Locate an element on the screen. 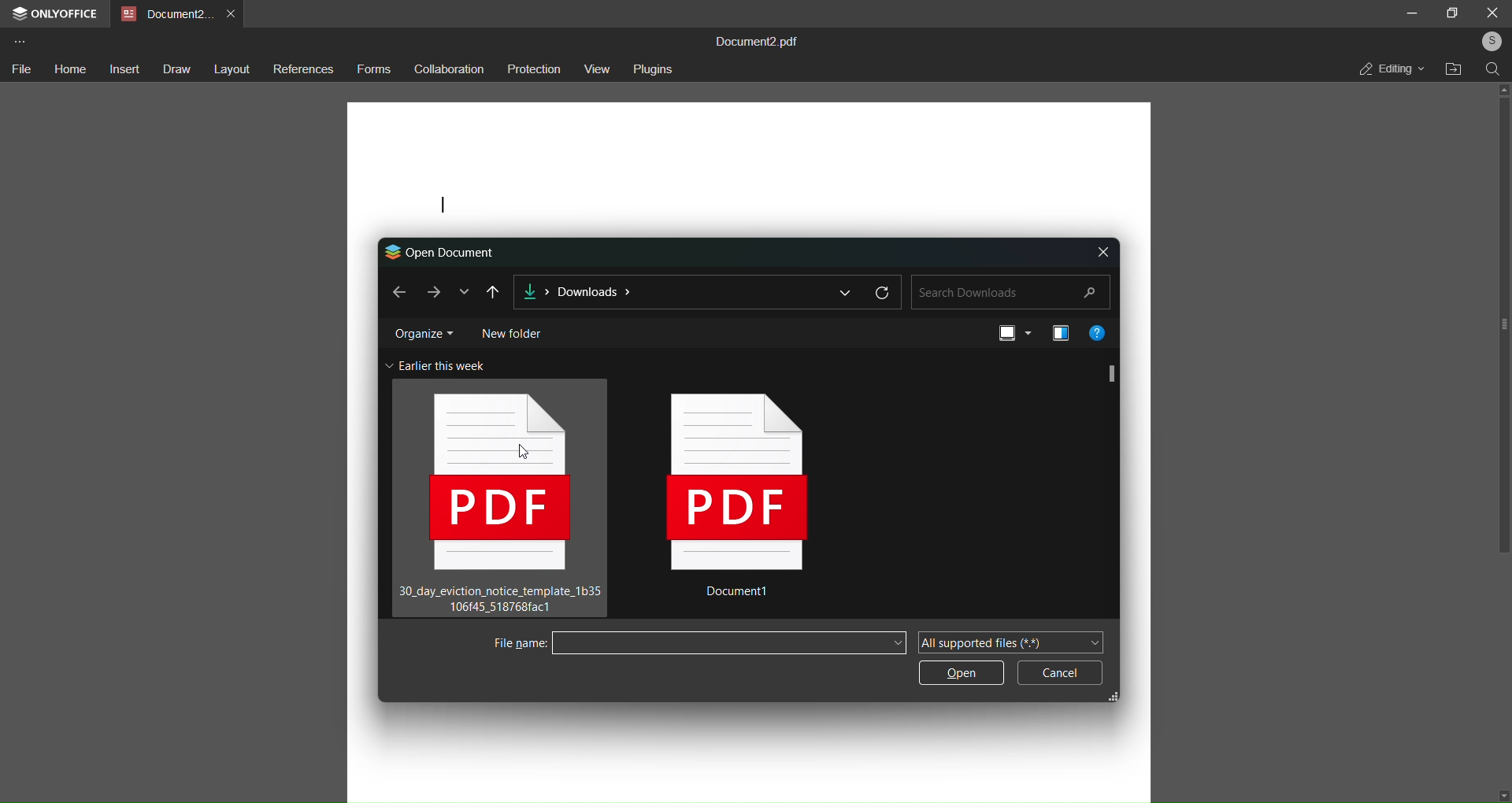 The height and width of the screenshot is (803, 1512). list is located at coordinates (463, 291).